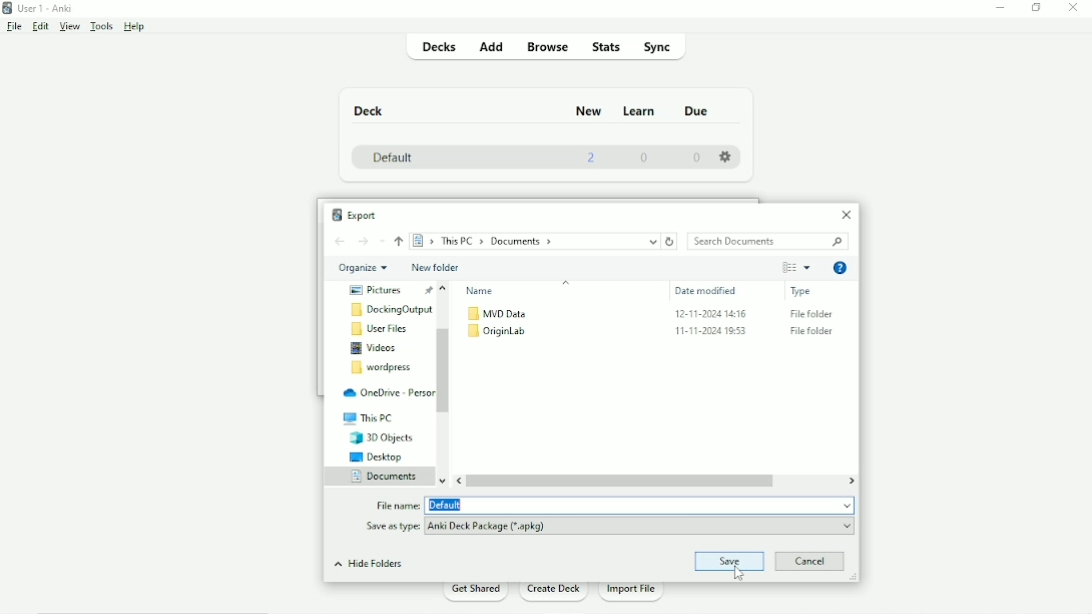 The image size is (1092, 614). Describe the element at coordinates (390, 290) in the screenshot. I see `Pictures` at that location.